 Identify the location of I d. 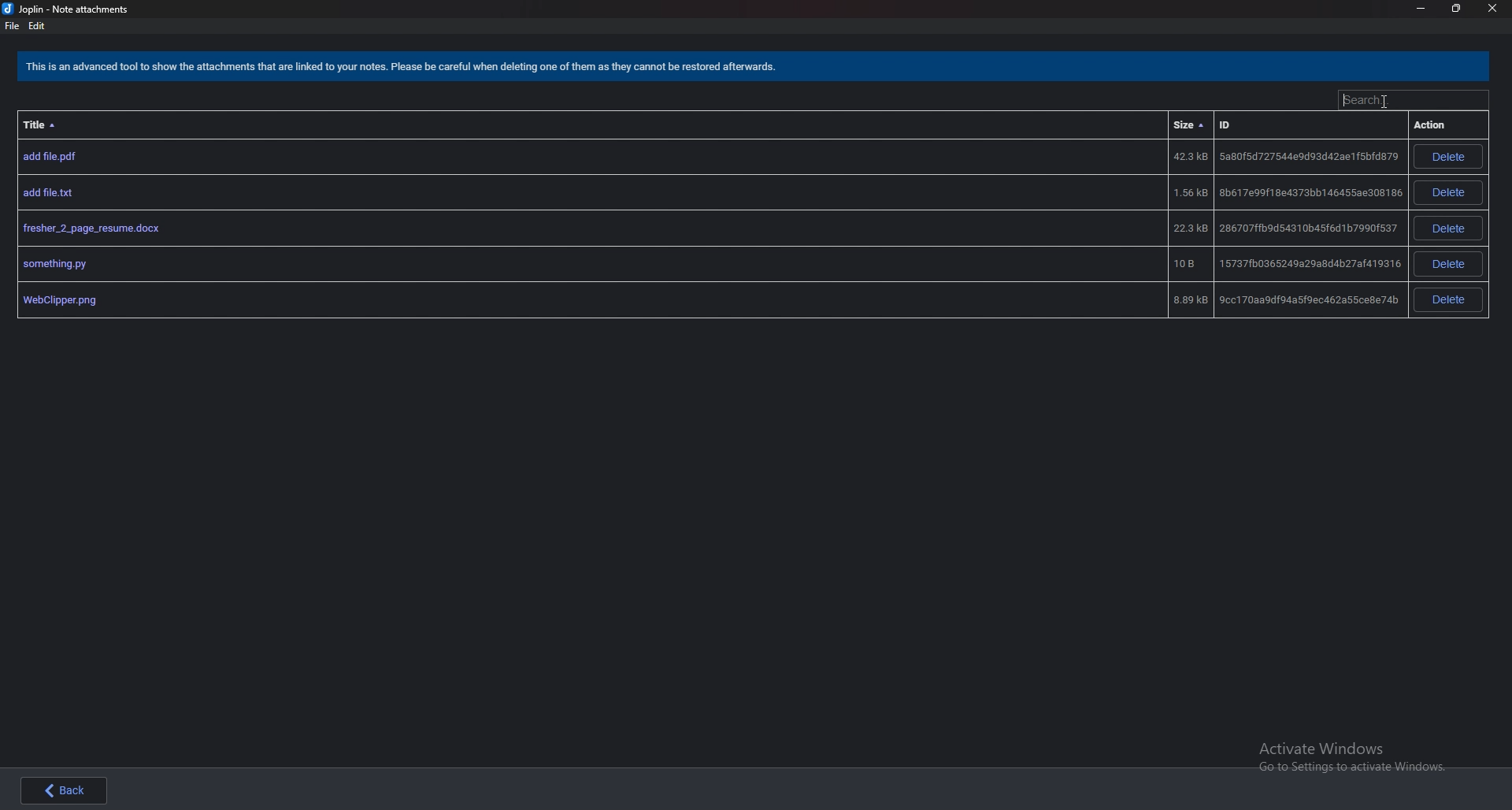
(1252, 128).